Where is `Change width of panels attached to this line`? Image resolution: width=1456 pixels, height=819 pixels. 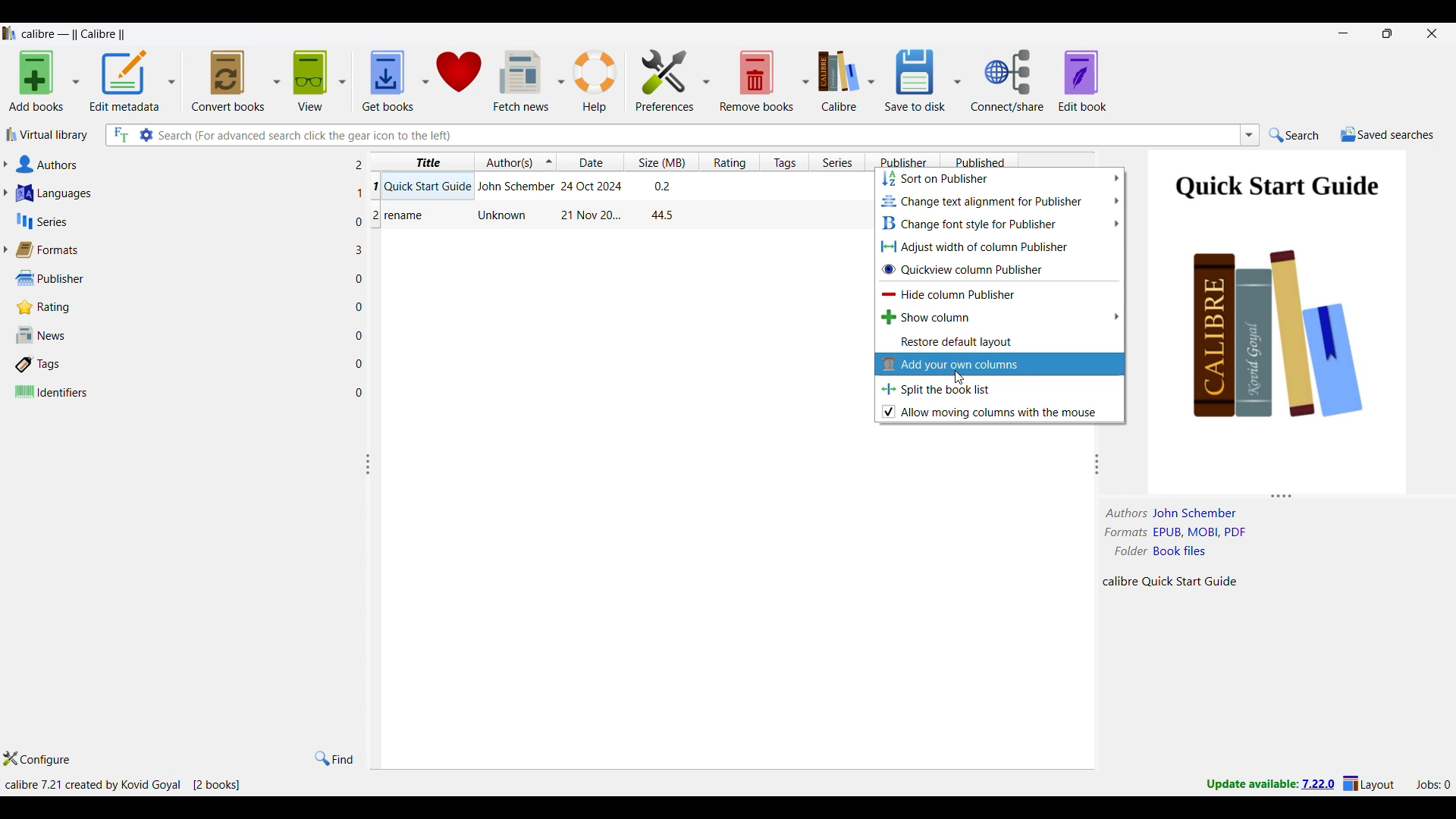 Change width of panels attached to this line is located at coordinates (373, 536).